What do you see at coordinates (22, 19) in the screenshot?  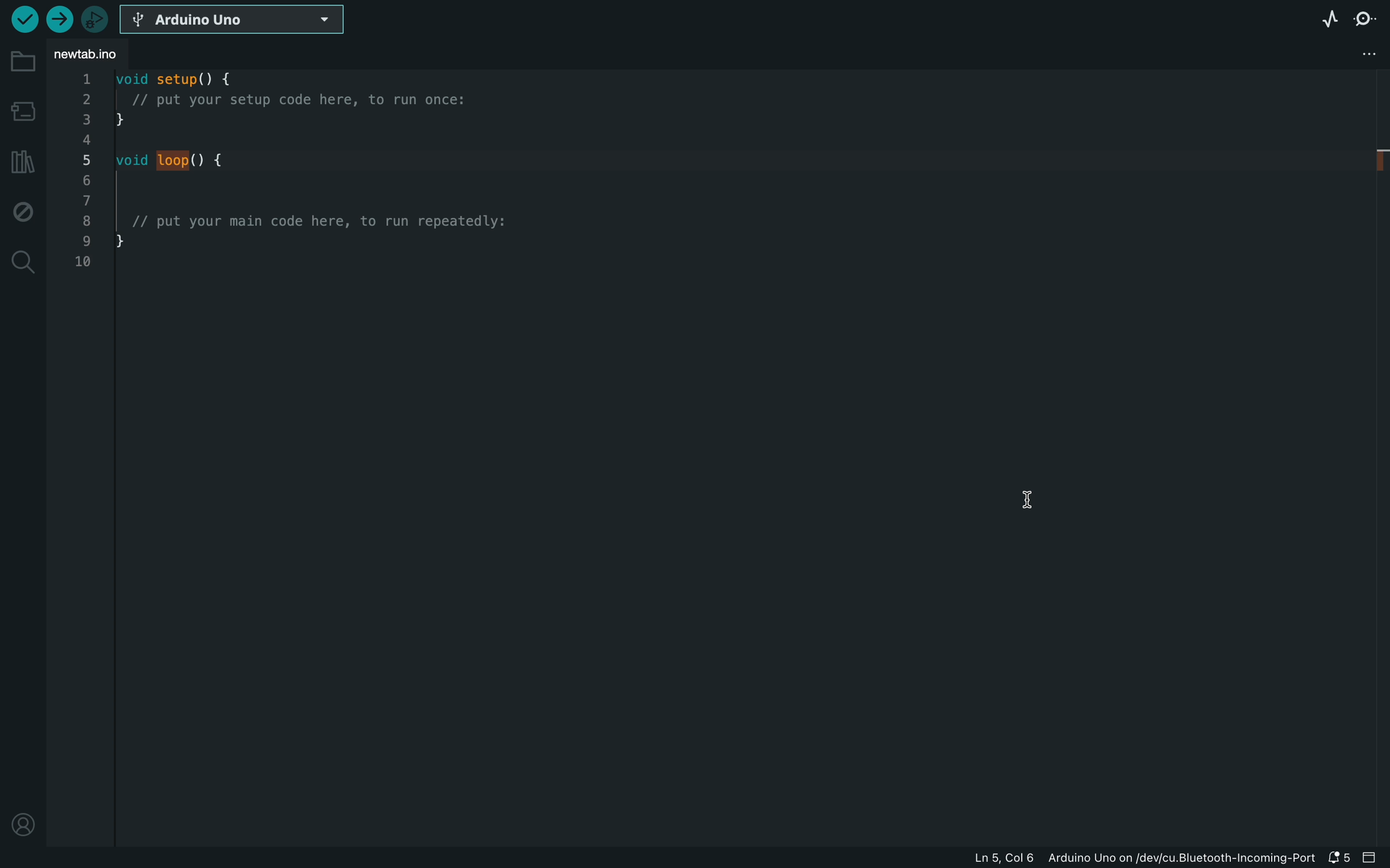 I see `verify` at bounding box center [22, 19].